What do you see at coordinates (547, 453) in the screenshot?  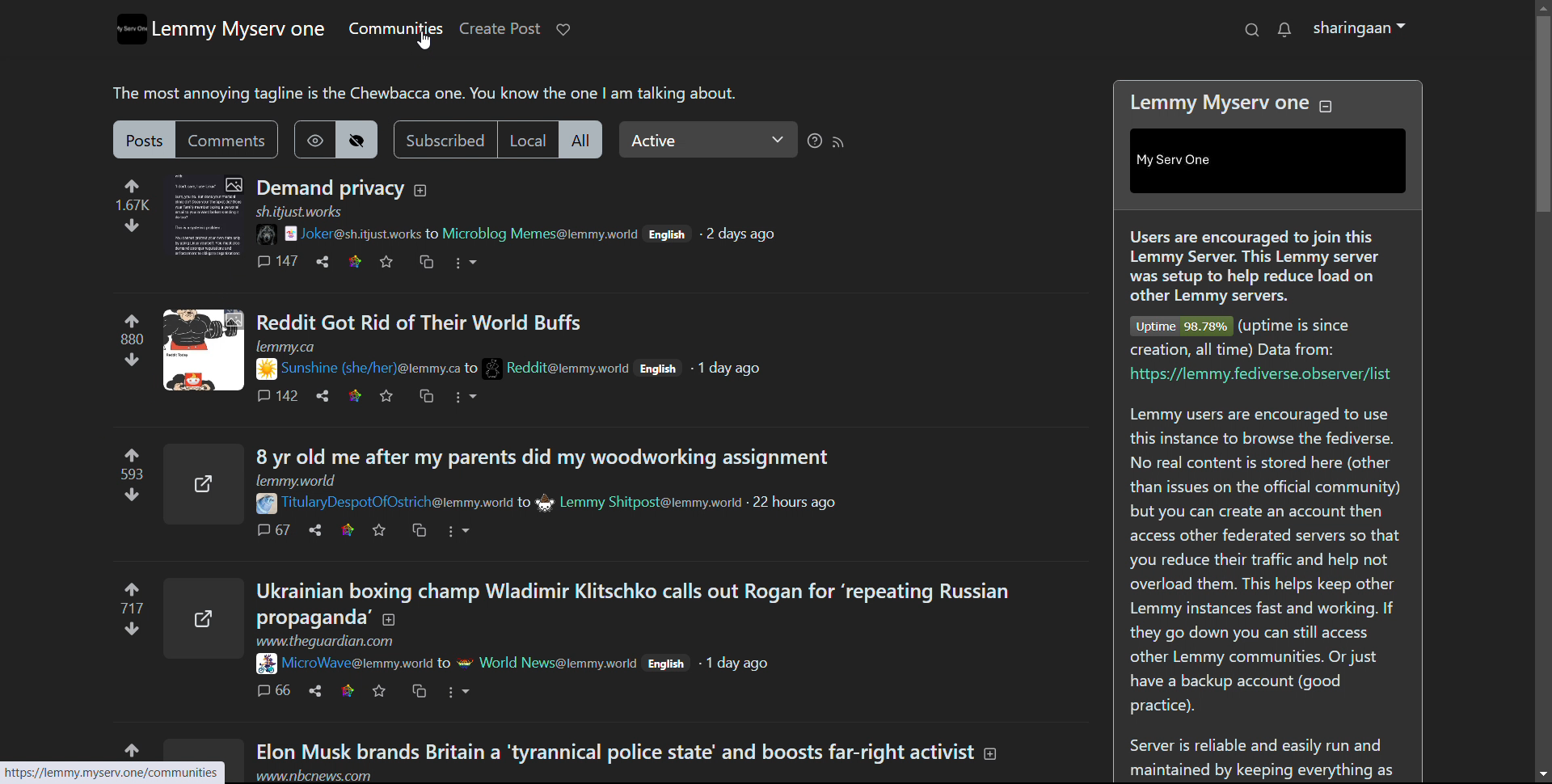 I see `Post title - 8 yr old me after my parents did my woodworking assignment` at bounding box center [547, 453].